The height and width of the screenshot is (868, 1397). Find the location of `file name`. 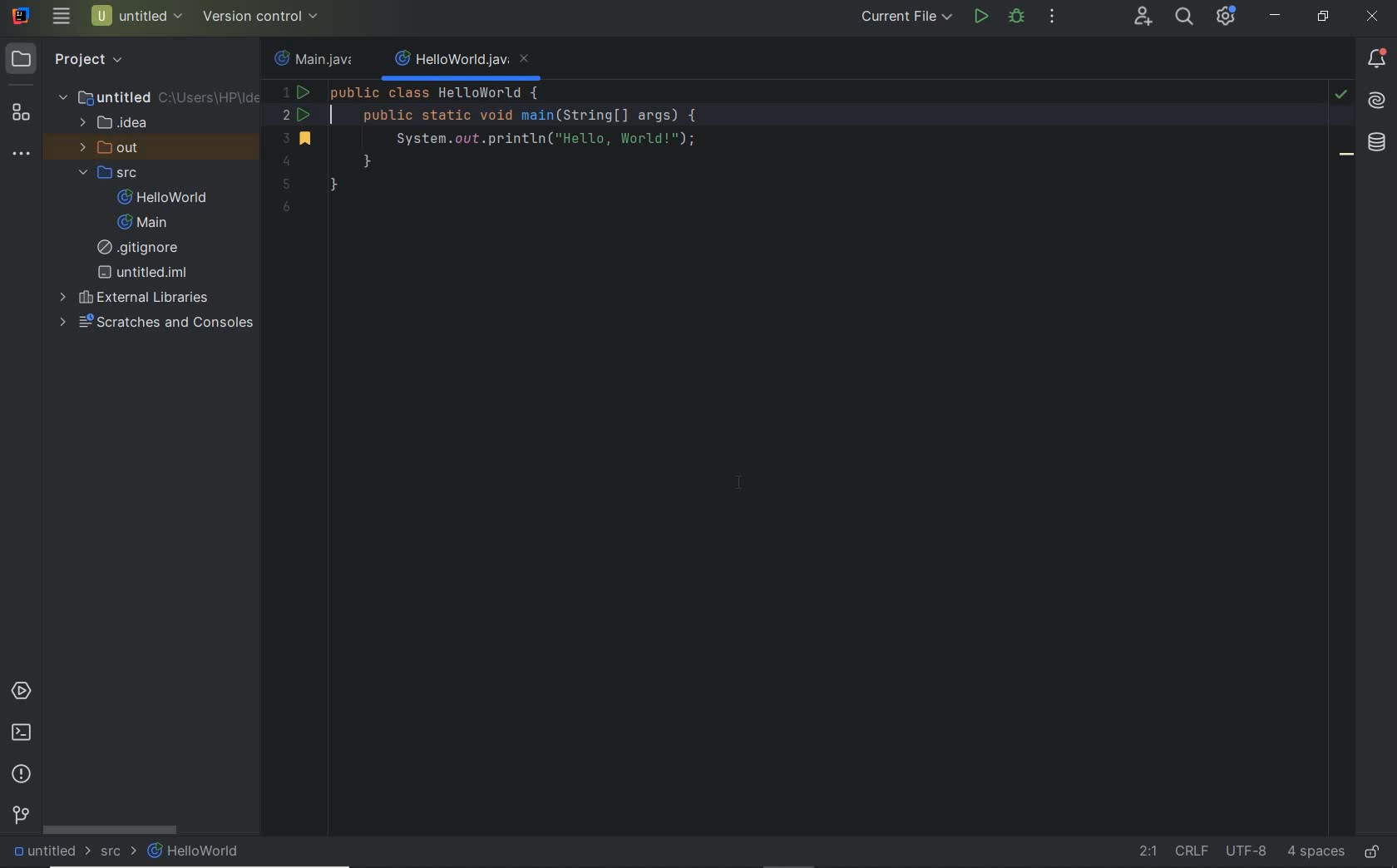

file name is located at coordinates (463, 61).